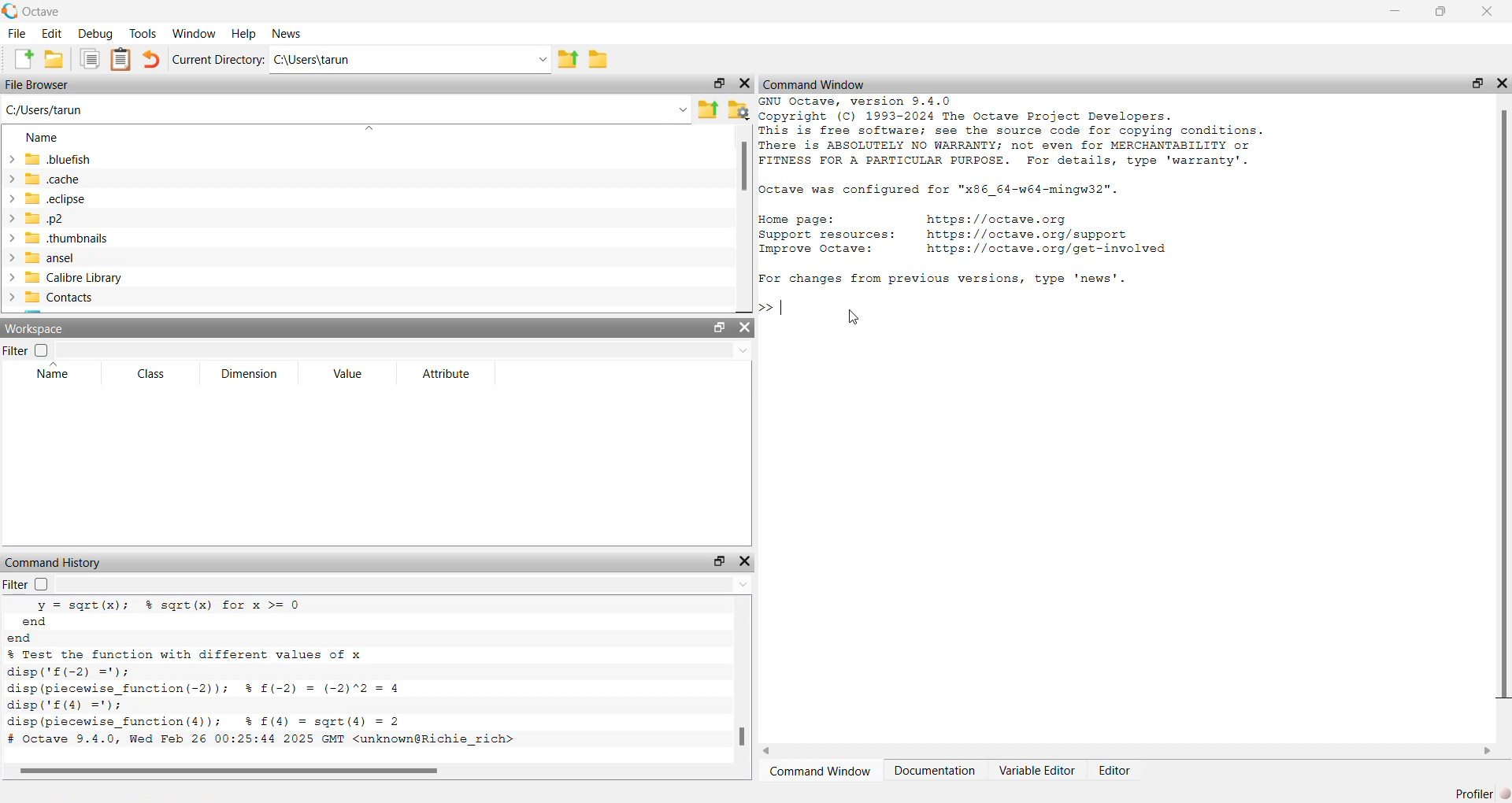  What do you see at coordinates (17, 32) in the screenshot?
I see `File` at bounding box center [17, 32].